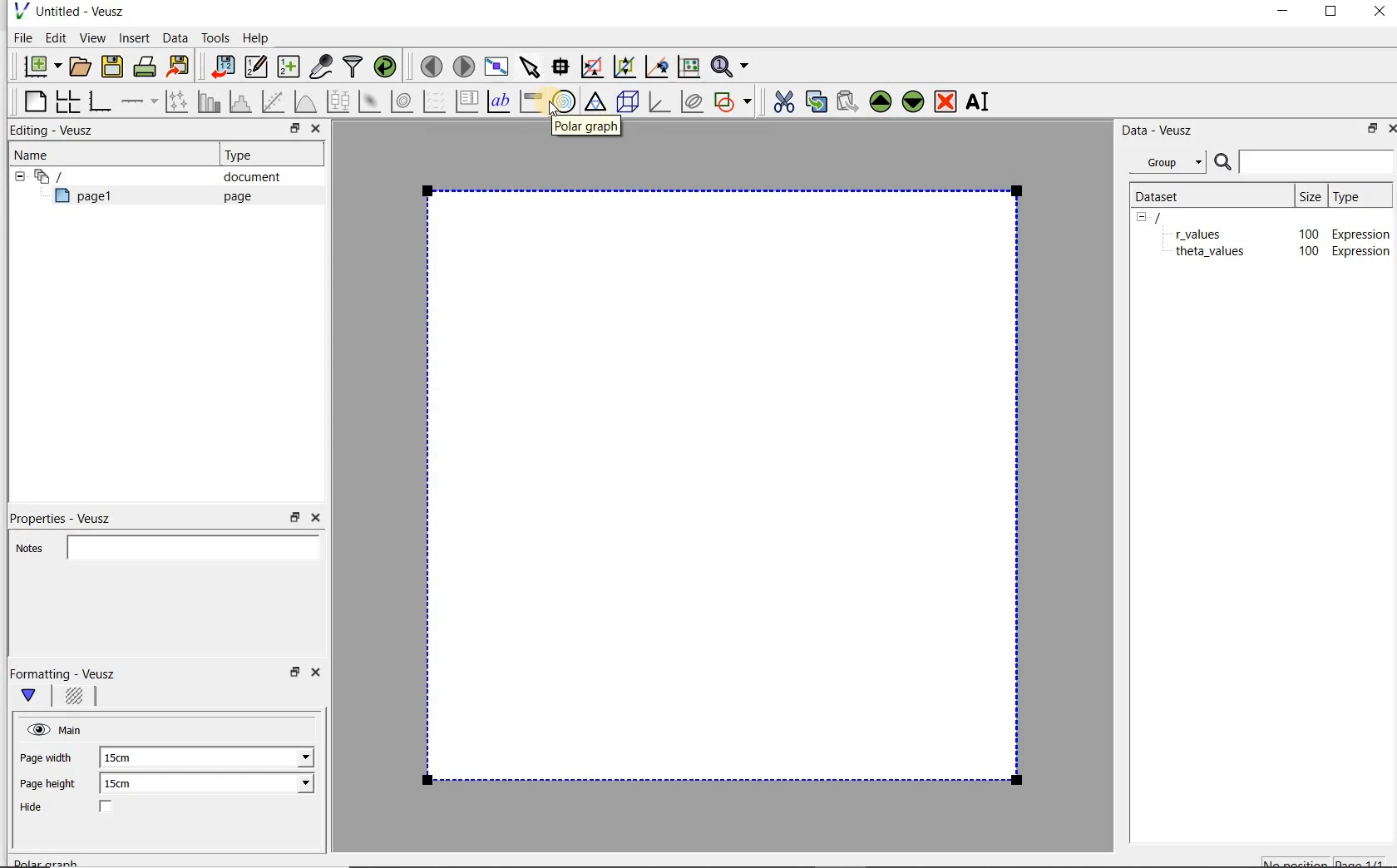 Image resolution: width=1397 pixels, height=868 pixels. What do you see at coordinates (20, 38) in the screenshot?
I see `File` at bounding box center [20, 38].